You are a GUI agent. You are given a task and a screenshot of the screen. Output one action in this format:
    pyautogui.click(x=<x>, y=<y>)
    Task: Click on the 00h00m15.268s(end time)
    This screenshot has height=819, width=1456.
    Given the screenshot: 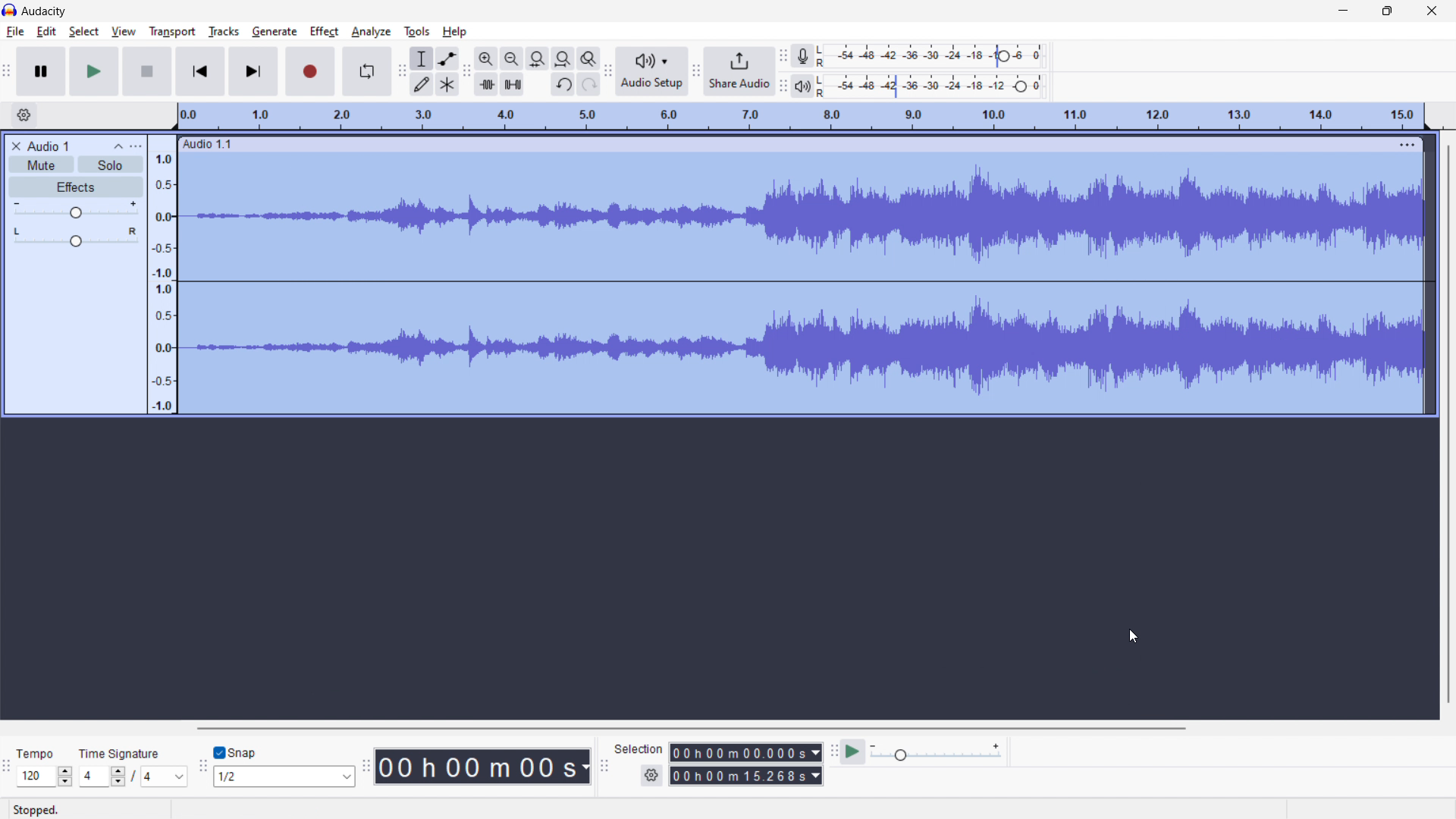 What is the action you would take?
    pyautogui.click(x=745, y=776)
    